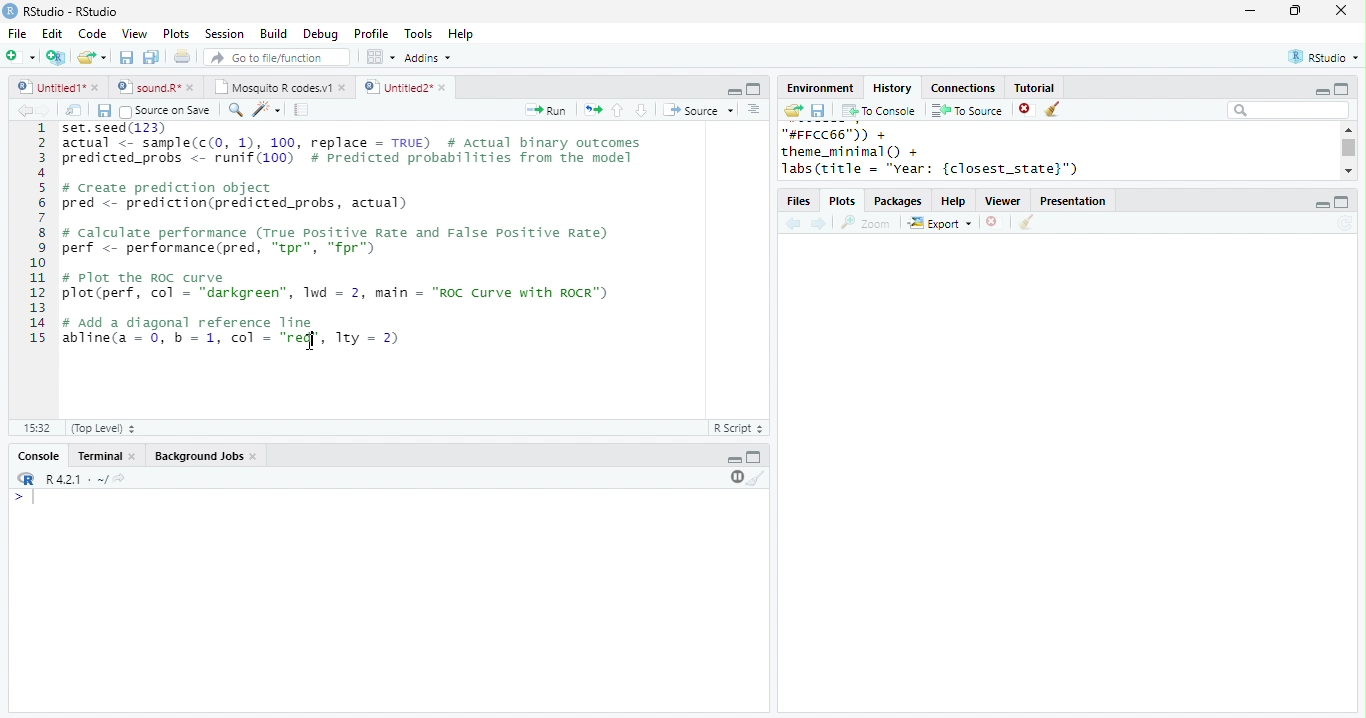 Image resolution: width=1366 pixels, height=718 pixels. Describe the element at coordinates (151, 57) in the screenshot. I see `save all` at that location.